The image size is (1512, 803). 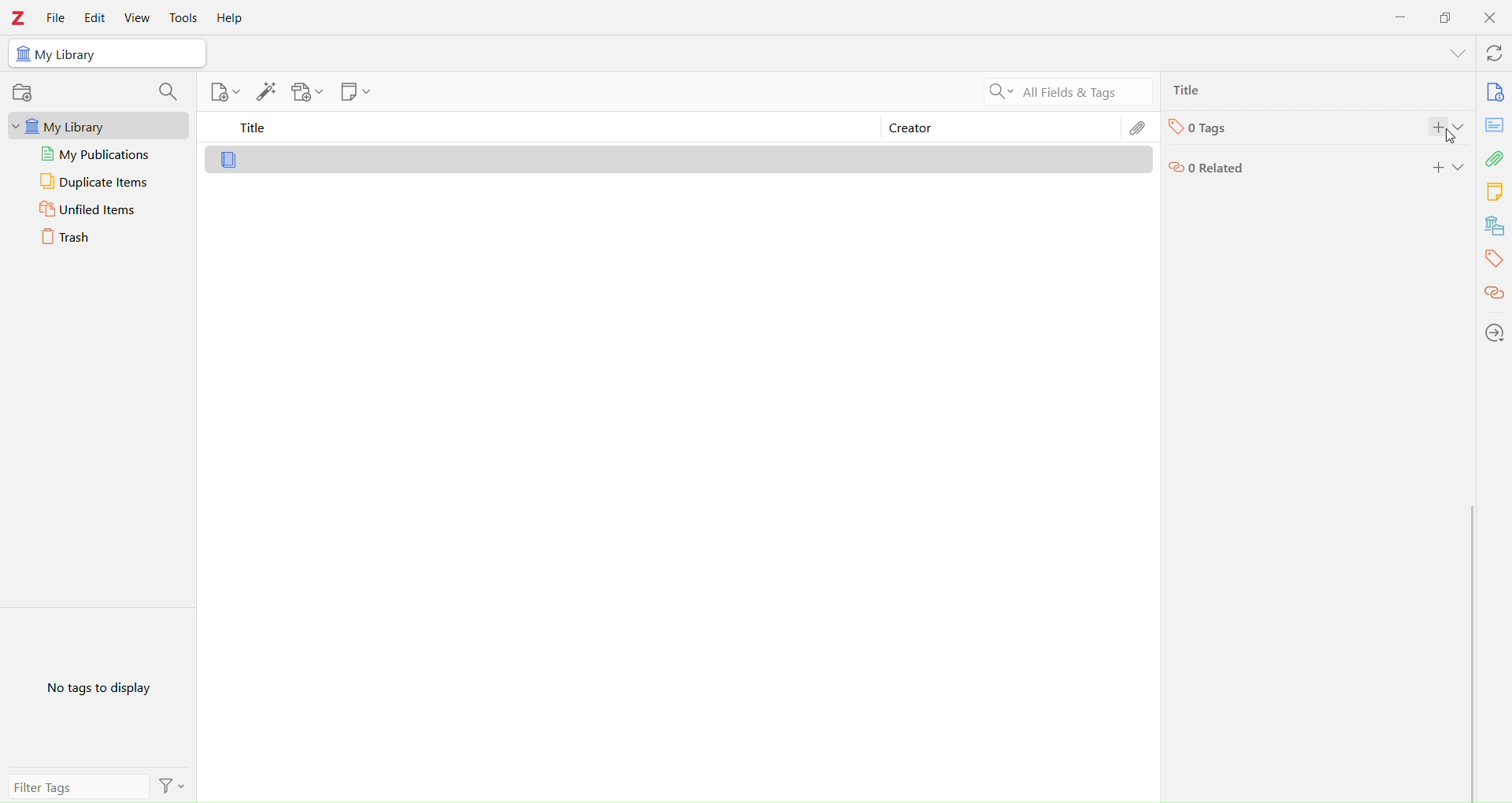 What do you see at coordinates (91, 212) in the screenshot?
I see `Unfiled Items` at bounding box center [91, 212].